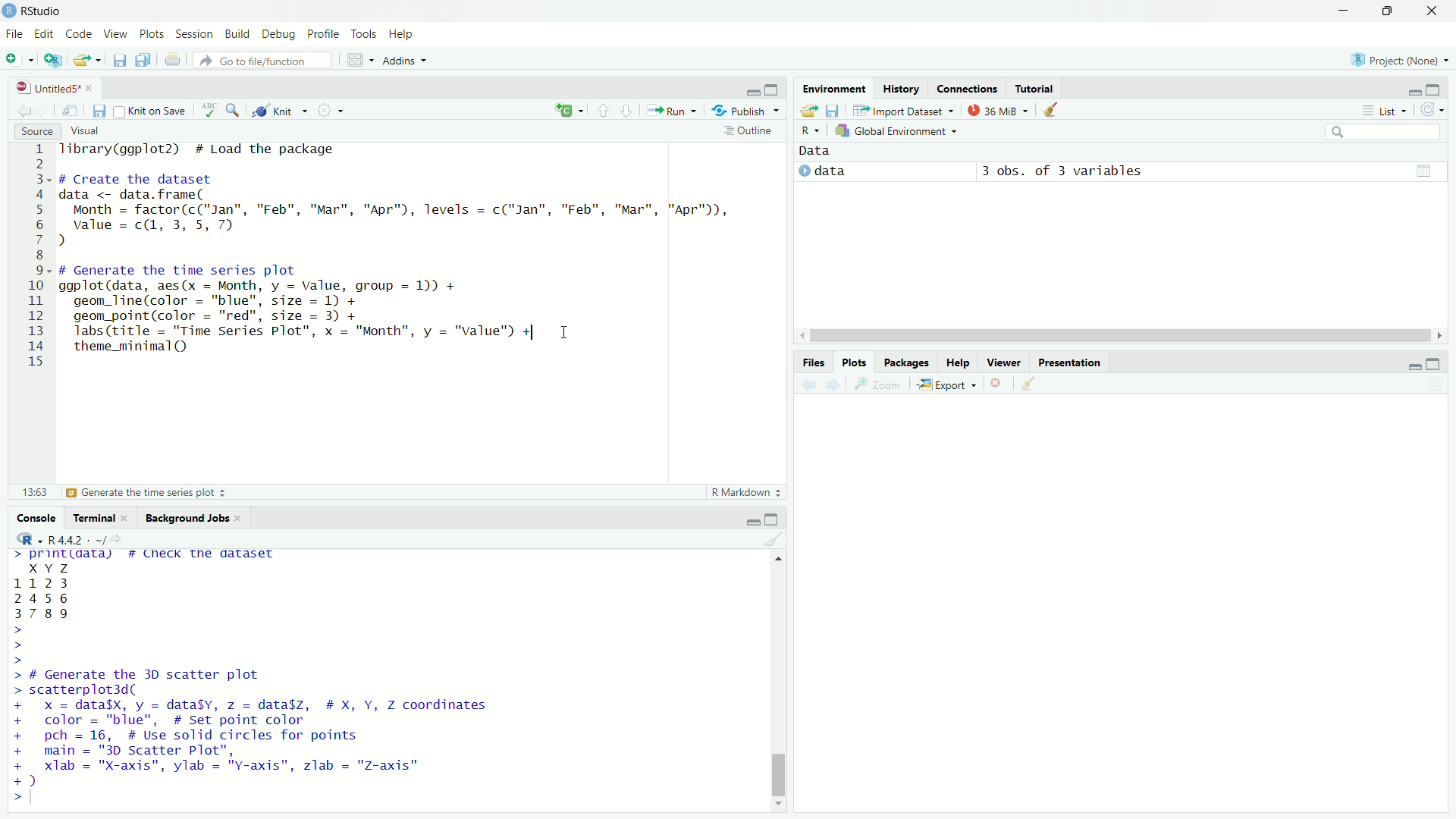 The height and width of the screenshot is (819, 1456). I want to click on build, so click(239, 33).